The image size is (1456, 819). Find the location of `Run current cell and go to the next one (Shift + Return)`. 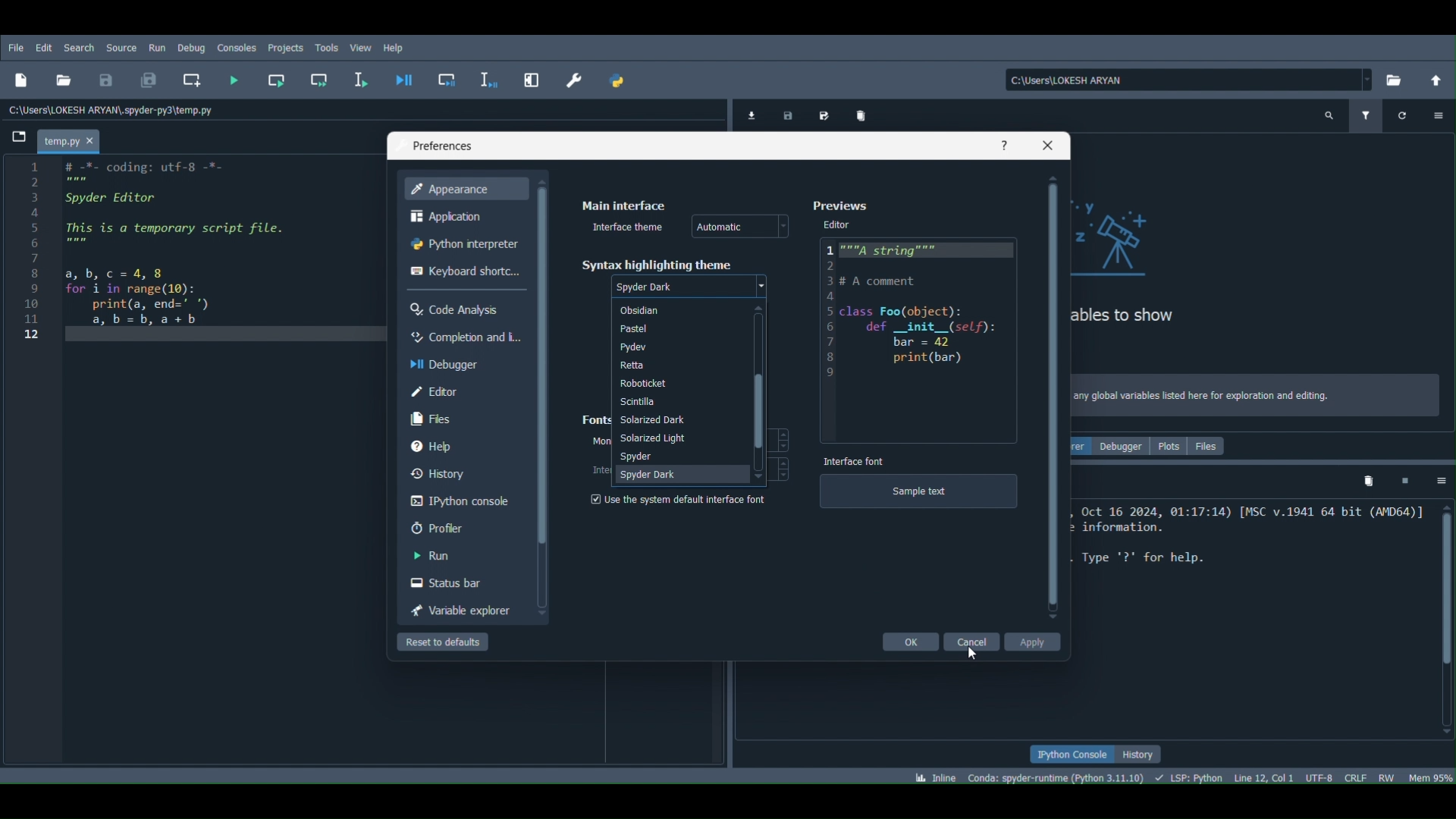

Run current cell and go to the next one (Shift + Return) is located at coordinates (320, 80).